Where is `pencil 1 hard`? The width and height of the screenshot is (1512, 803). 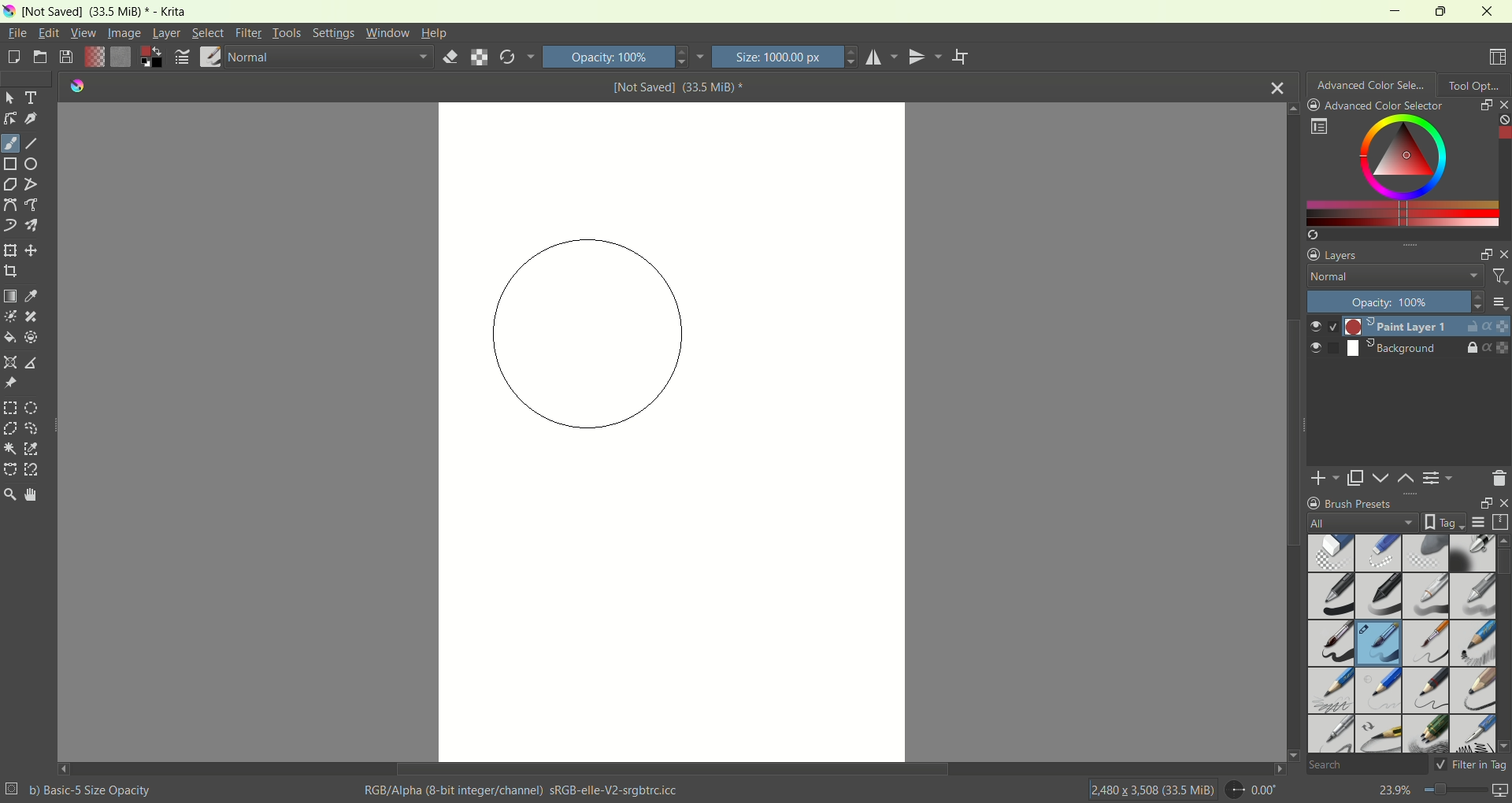 pencil 1 hard is located at coordinates (1380, 690).